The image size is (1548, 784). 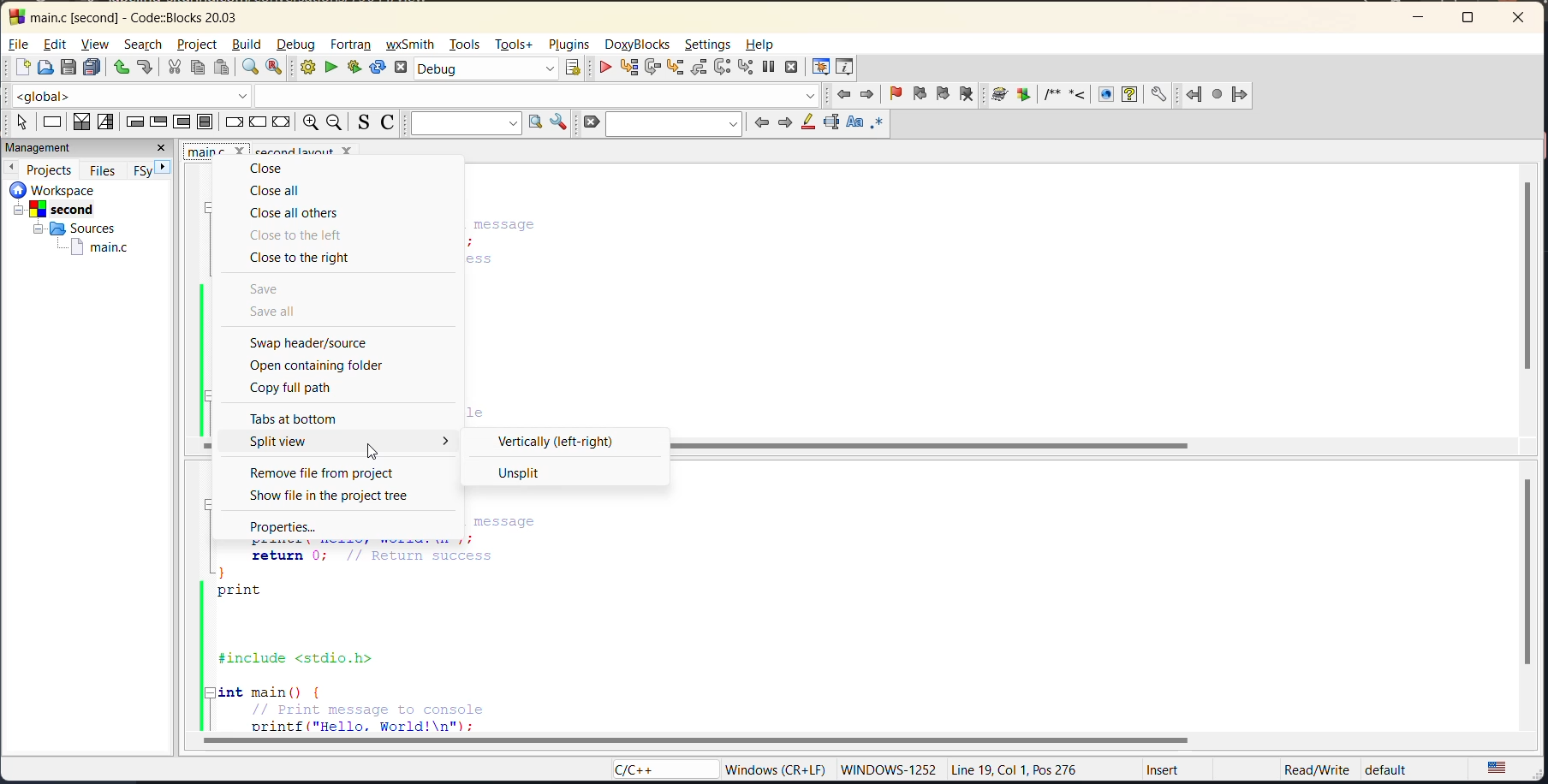 I want to click on search, so click(x=143, y=45).